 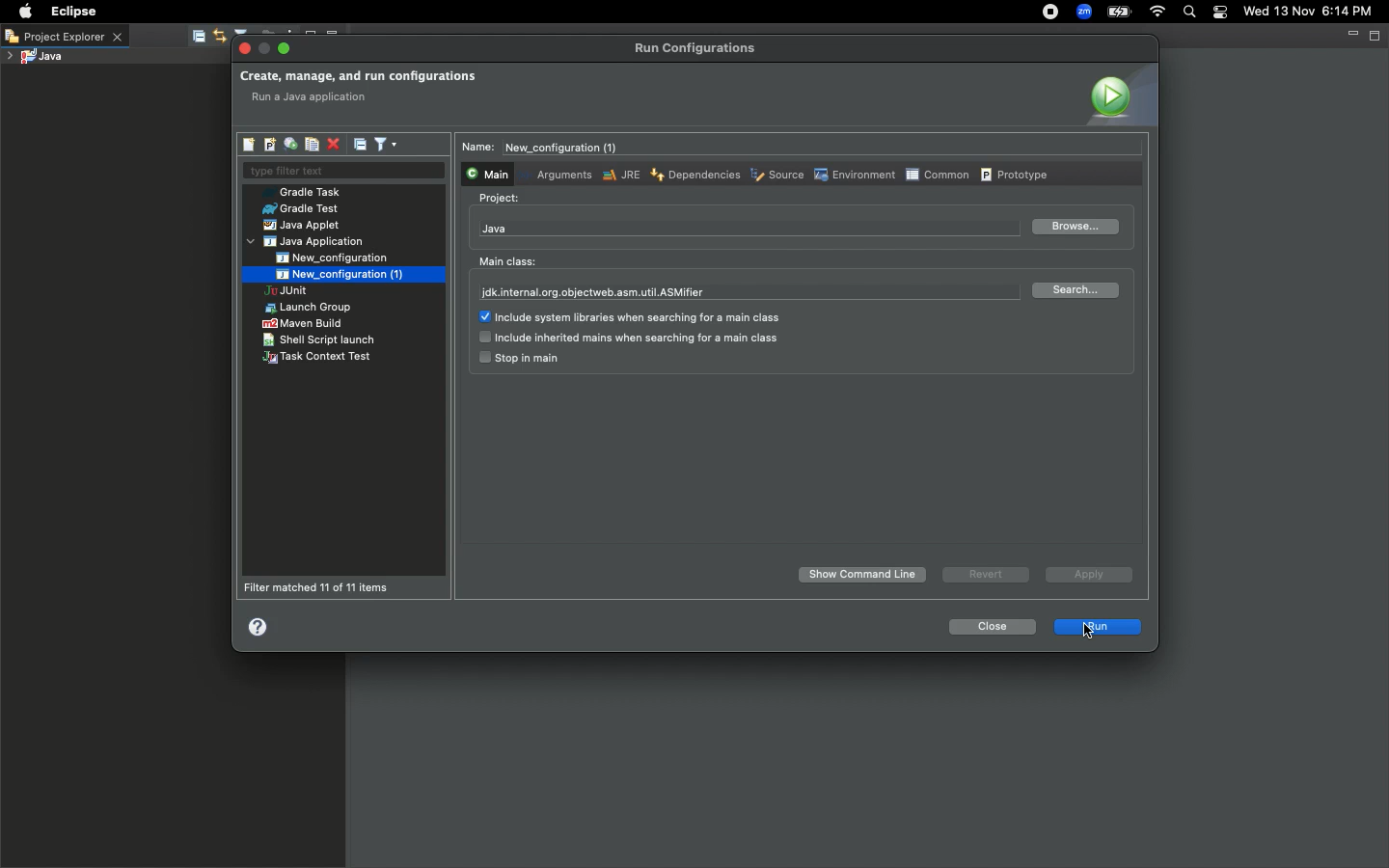 What do you see at coordinates (246, 49) in the screenshot?
I see `Close` at bounding box center [246, 49].